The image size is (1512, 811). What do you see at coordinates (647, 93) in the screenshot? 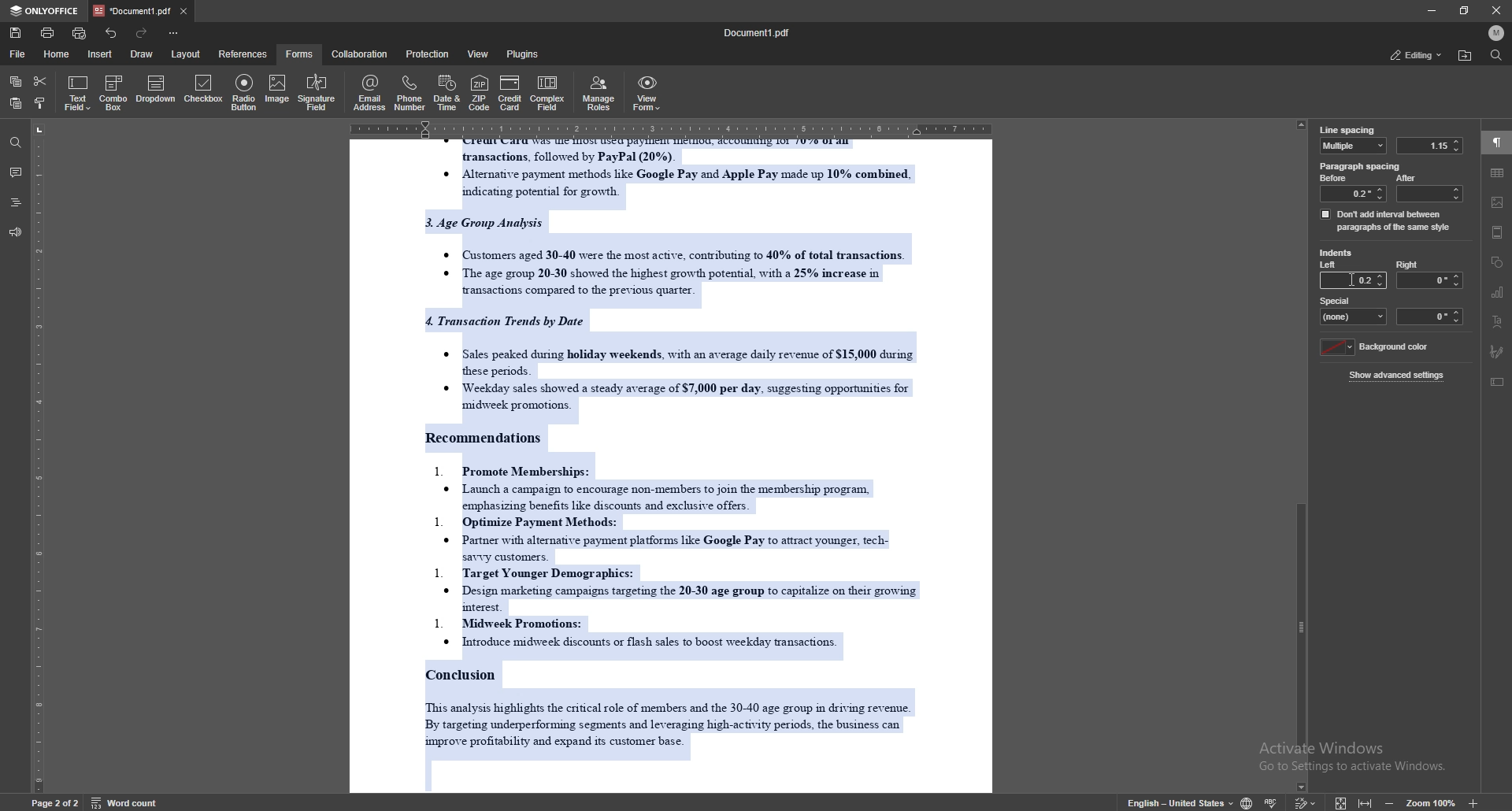
I see `view form` at bounding box center [647, 93].